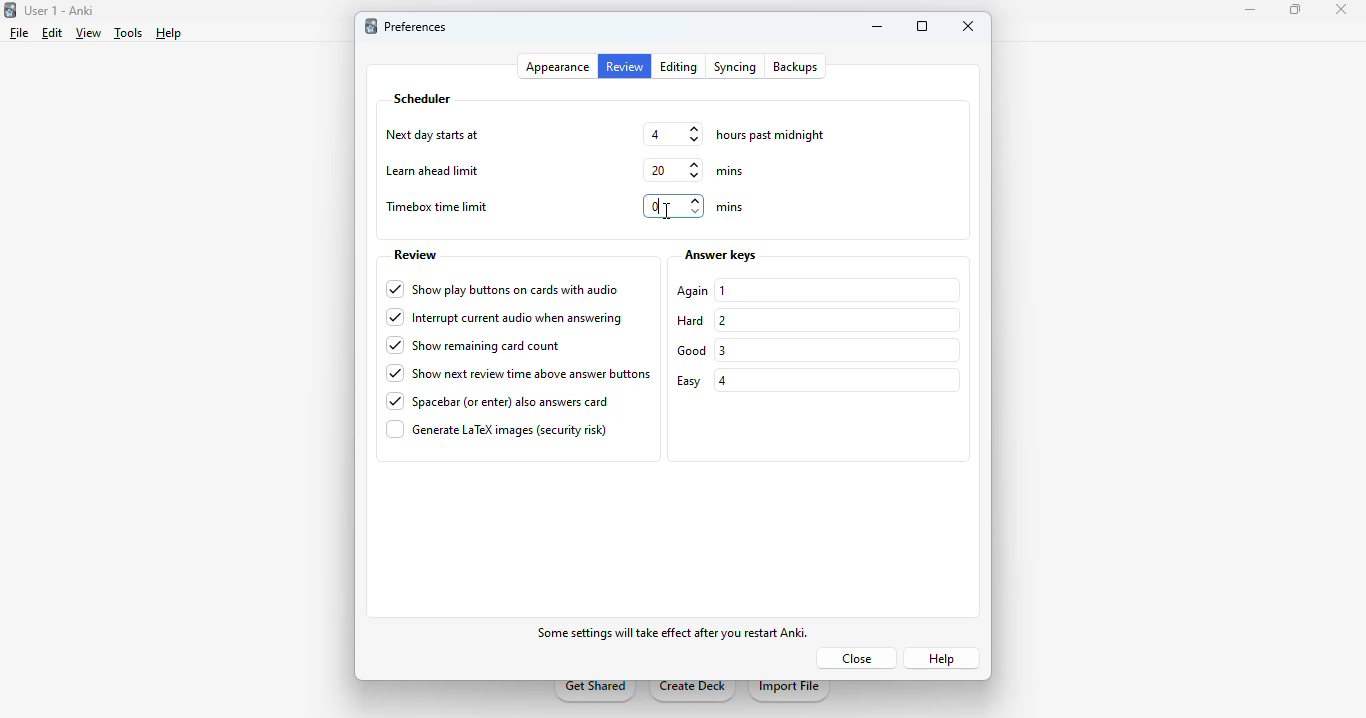 The image size is (1366, 718). What do you see at coordinates (435, 135) in the screenshot?
I see `next day starts at` at bounding box center [435, 135].